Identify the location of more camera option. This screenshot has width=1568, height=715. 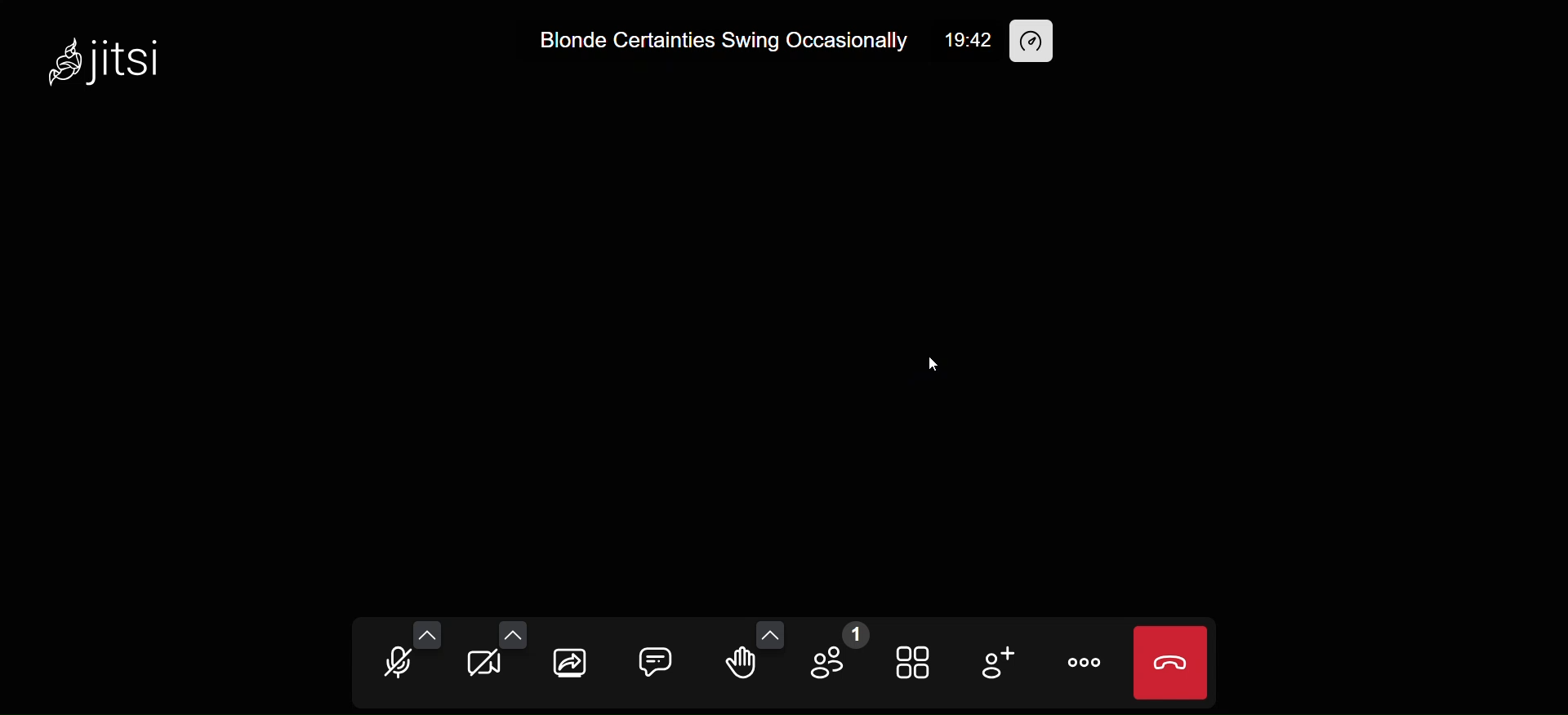
(514, 637).